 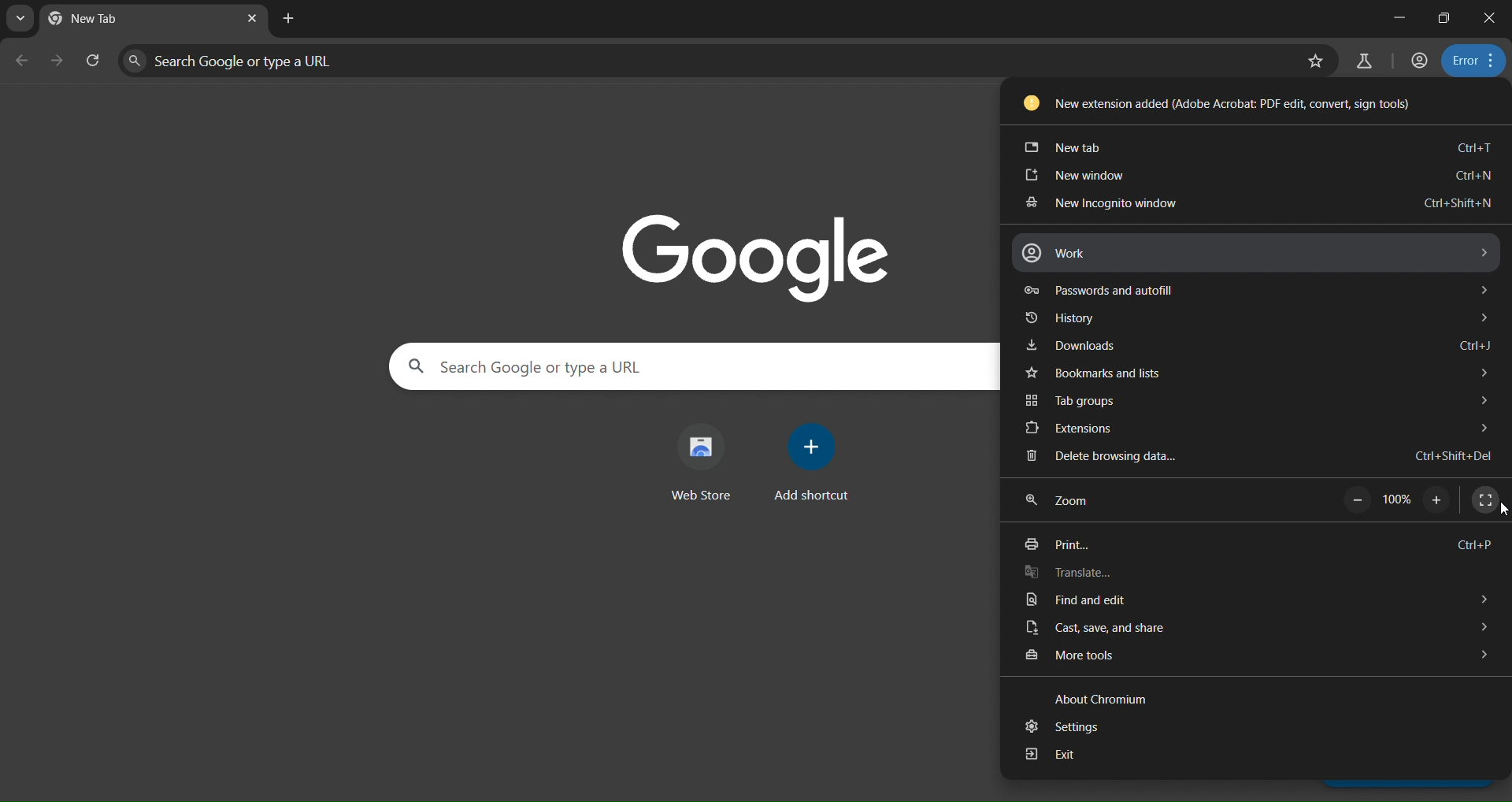 I want to click on current tab, so click(x=107, y=18).